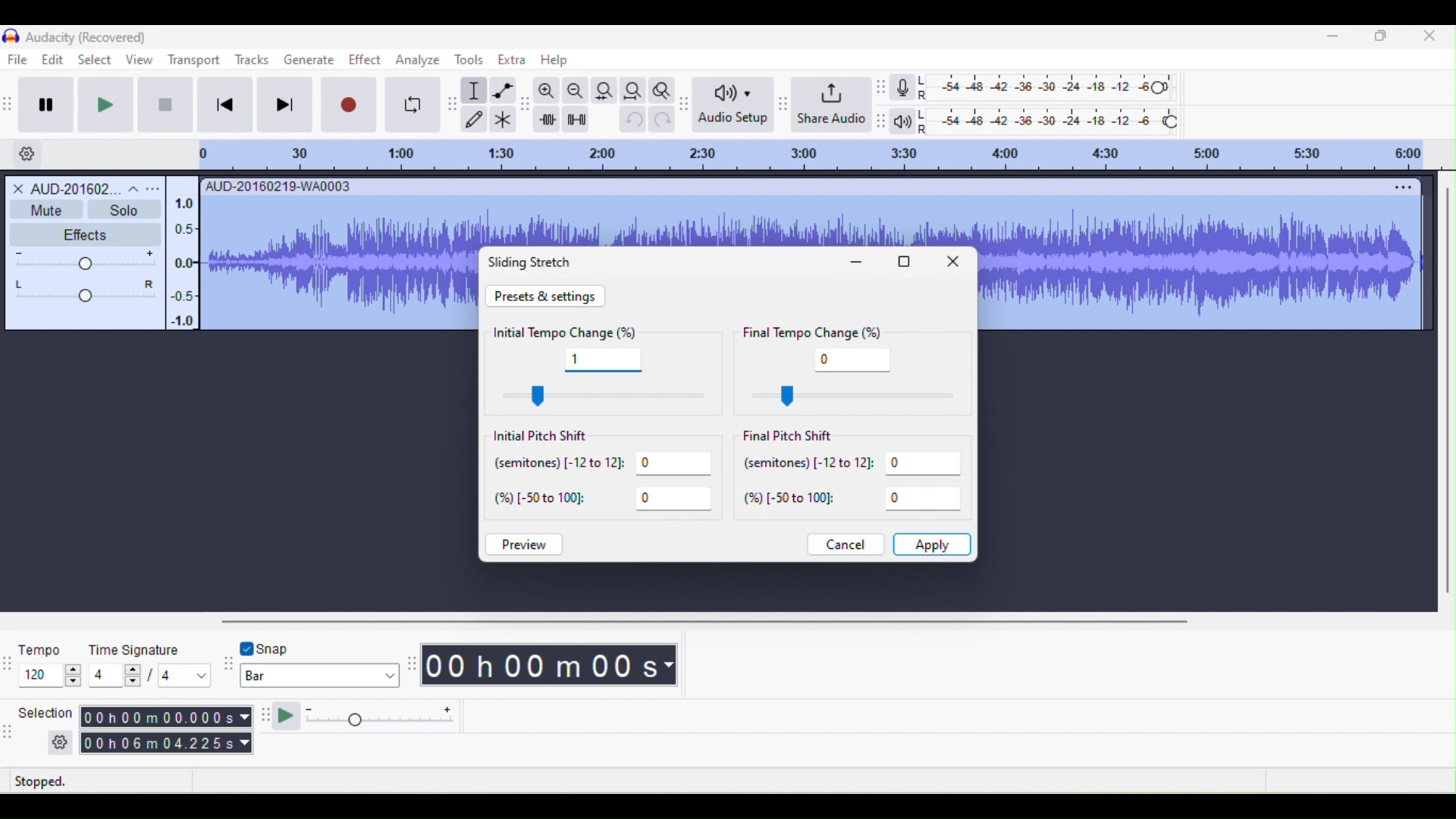 This screenshot has width=1456, height=819. What do you see at coordinates (151, 663) in the screenshot?
I see `time signature` at bounding box center [151, 663].